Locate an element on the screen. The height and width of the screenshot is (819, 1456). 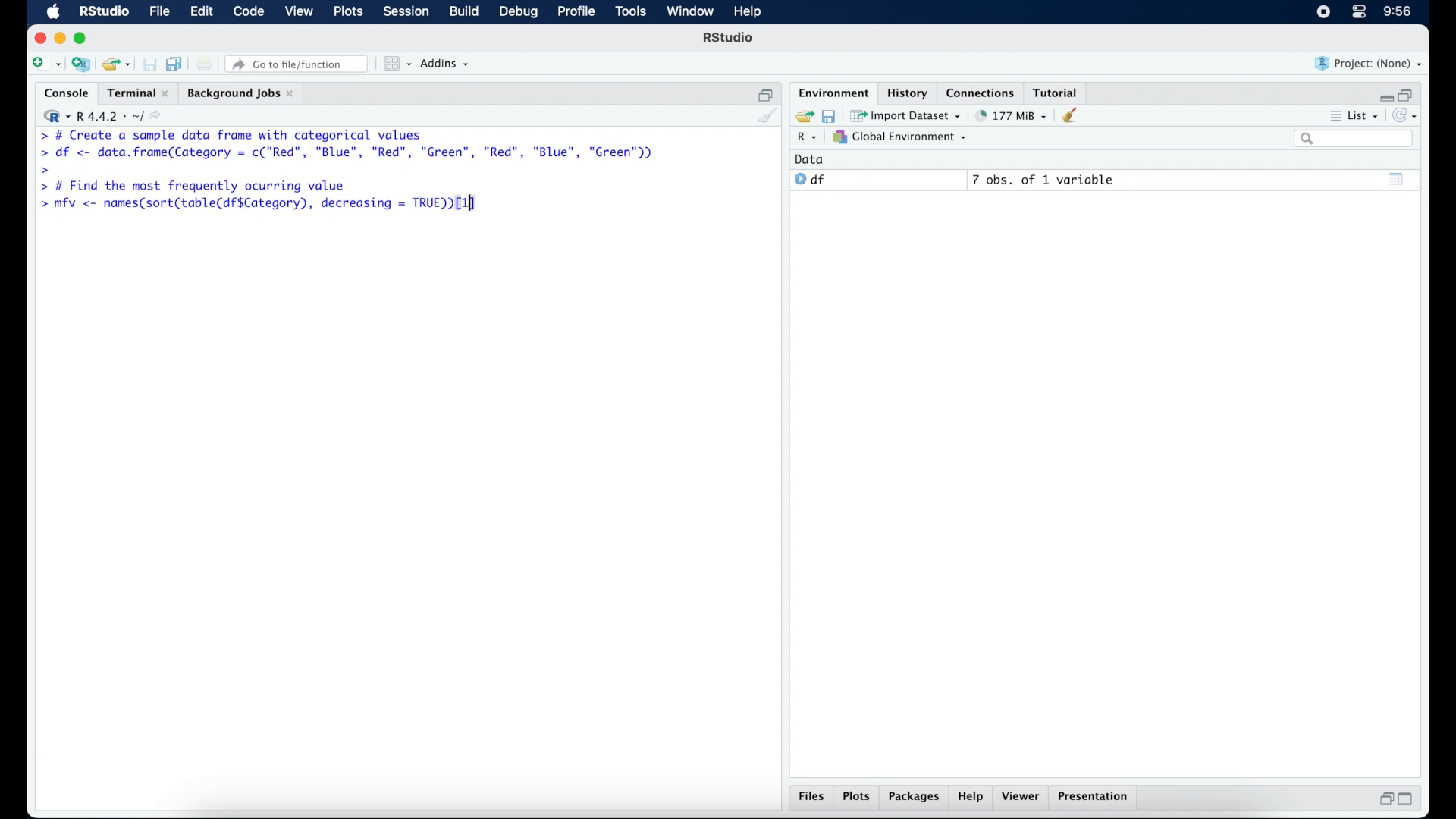
Go to file/ function is located at coordinates (300, 63).